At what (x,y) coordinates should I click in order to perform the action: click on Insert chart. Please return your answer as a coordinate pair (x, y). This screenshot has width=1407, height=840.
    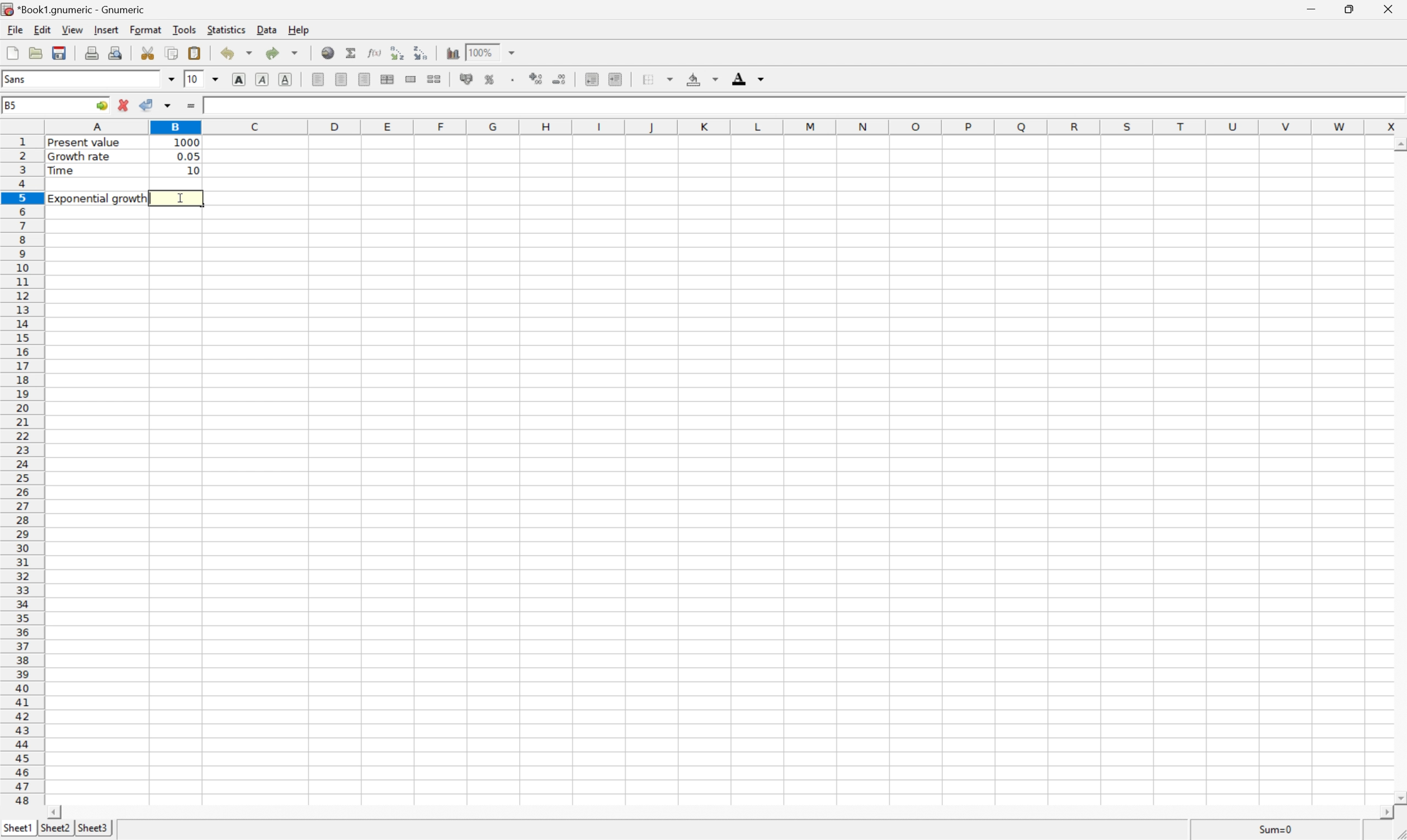
    Looking at the image, I should click on (454, 53).